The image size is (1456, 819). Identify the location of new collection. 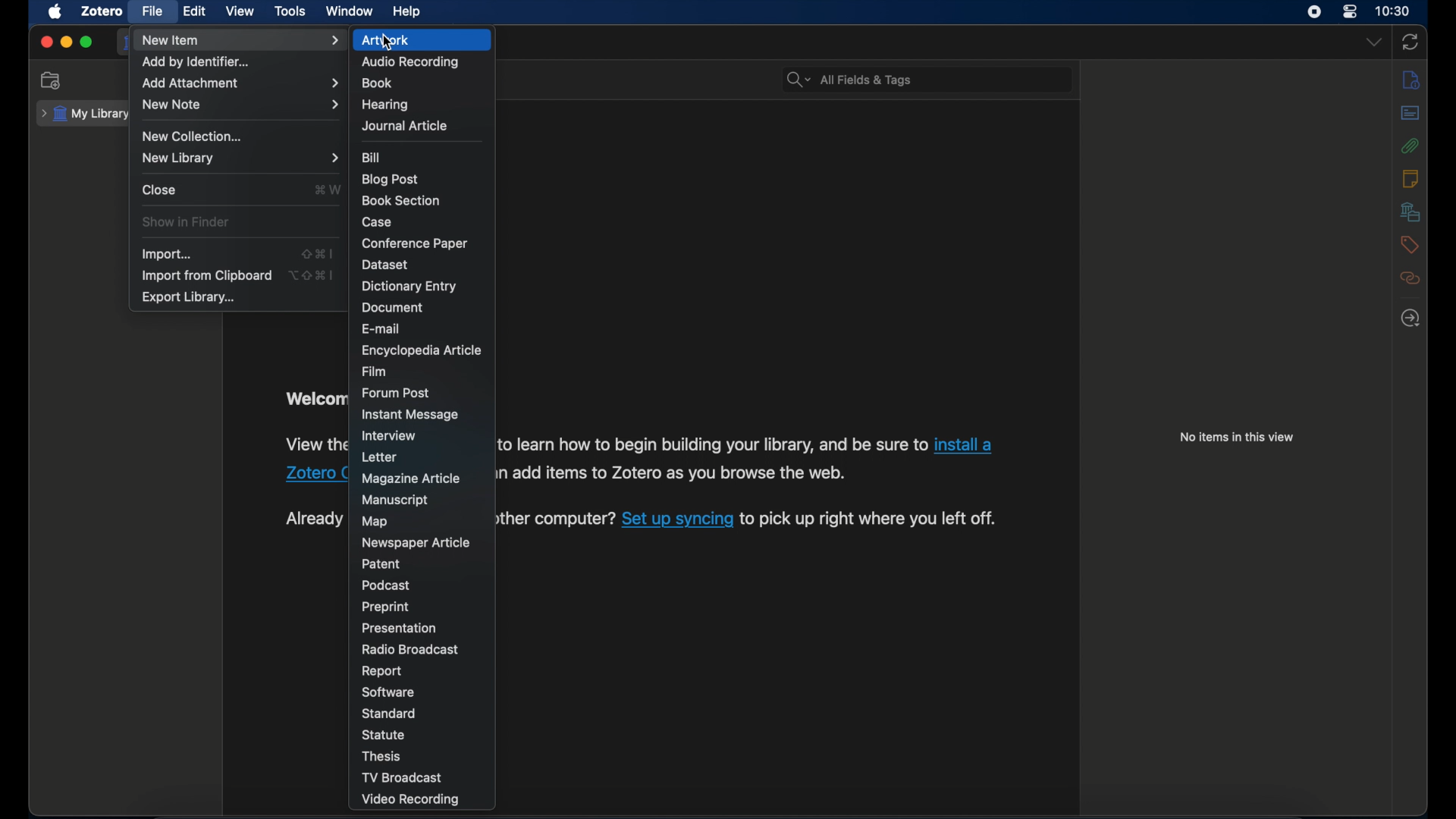
(194, 136).